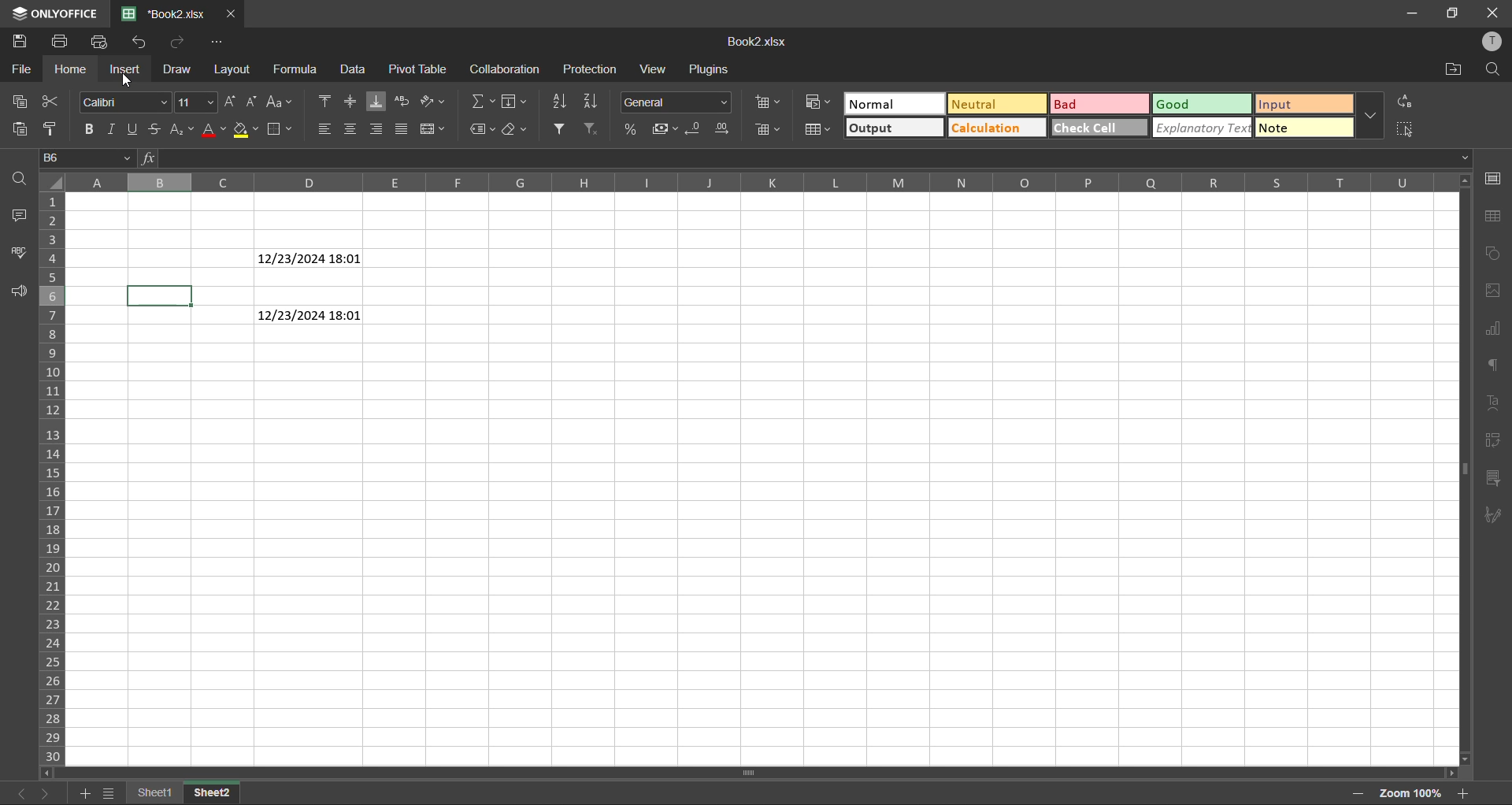 The width and height of the screenshot is (1512, 805). What do you see at coordinates (484, 103) in the screenshot?
I see `summation` at bounding box center [484, 103].